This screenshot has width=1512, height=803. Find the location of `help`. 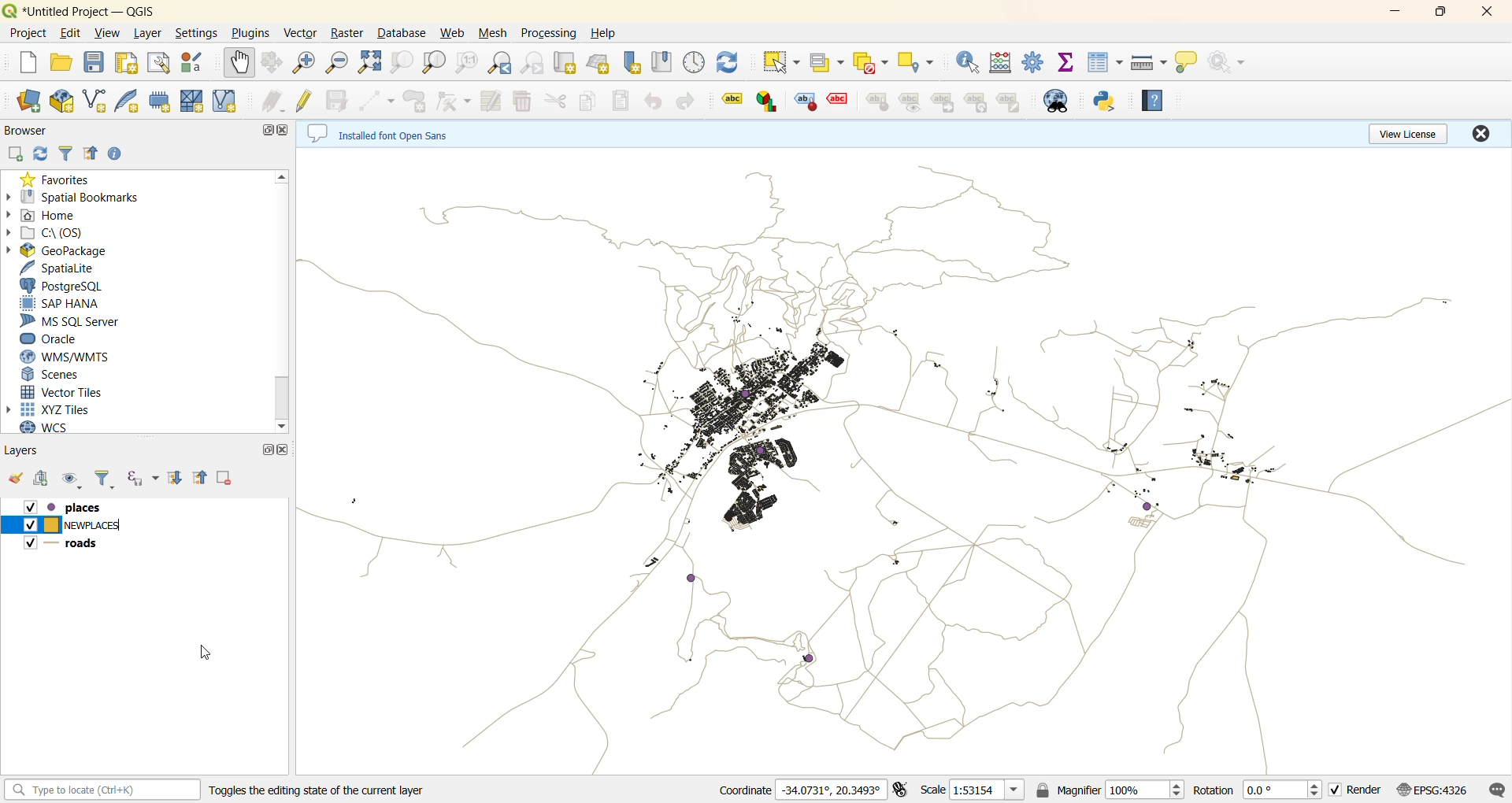

help is located at coordinates (603, 33).